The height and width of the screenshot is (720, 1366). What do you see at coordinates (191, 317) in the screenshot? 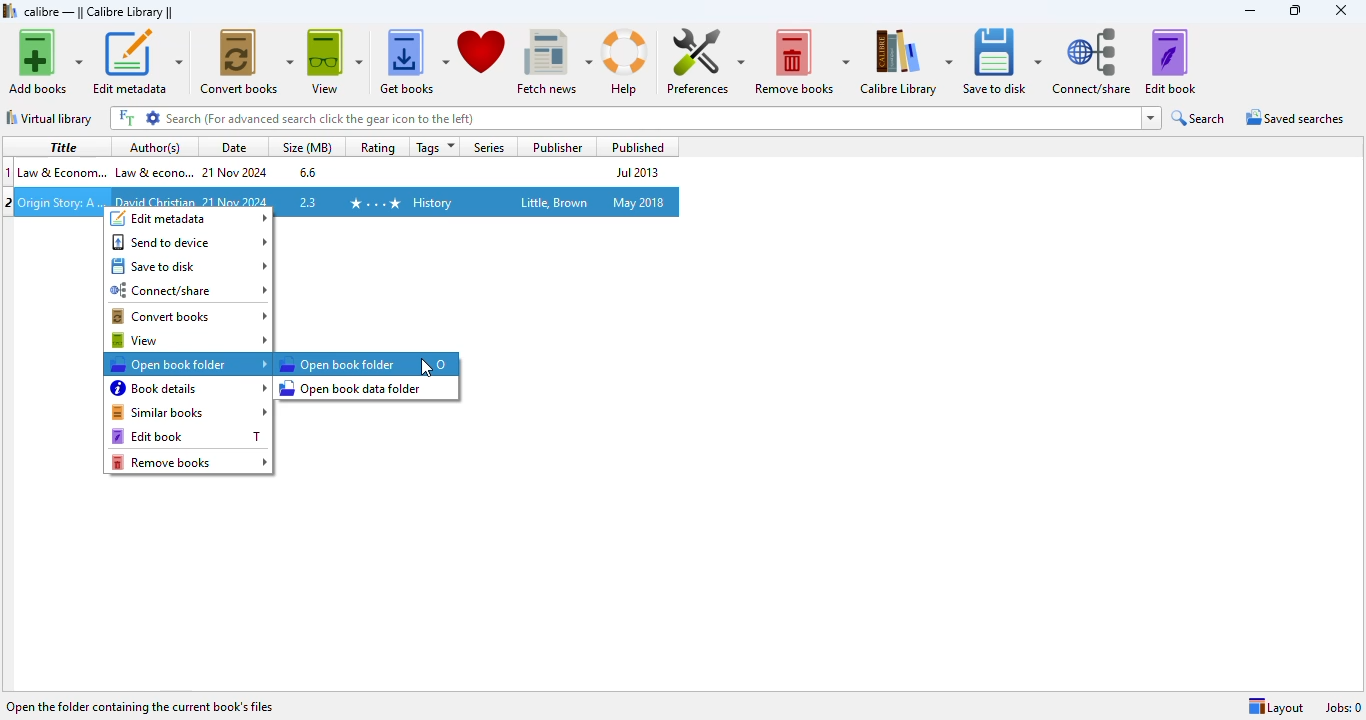
I see `convert books` at bounding box center [191, 317].